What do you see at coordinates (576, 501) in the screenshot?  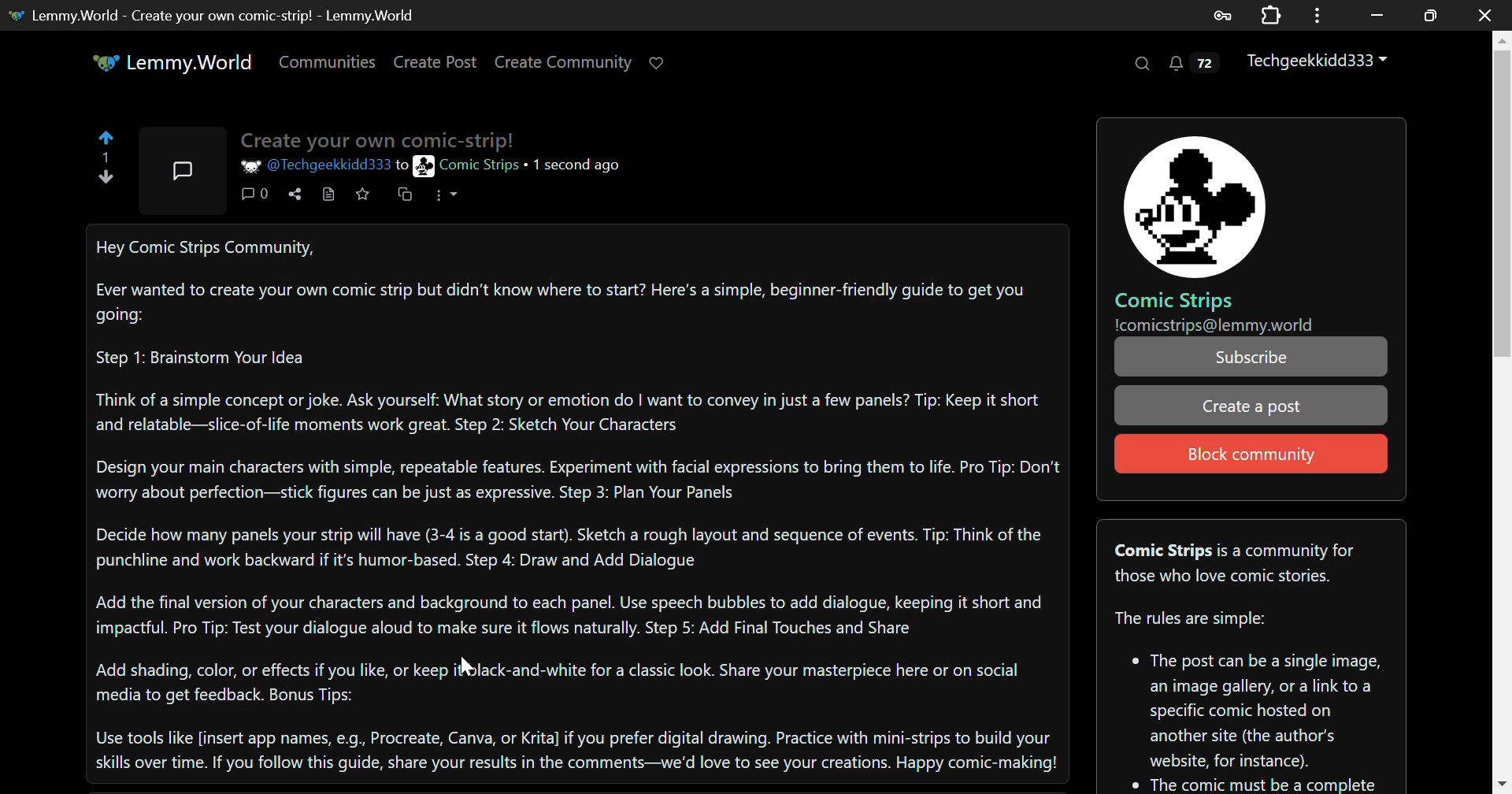 I see `Create your own Comic-strip Instructions` at bounding box center [576, 501].